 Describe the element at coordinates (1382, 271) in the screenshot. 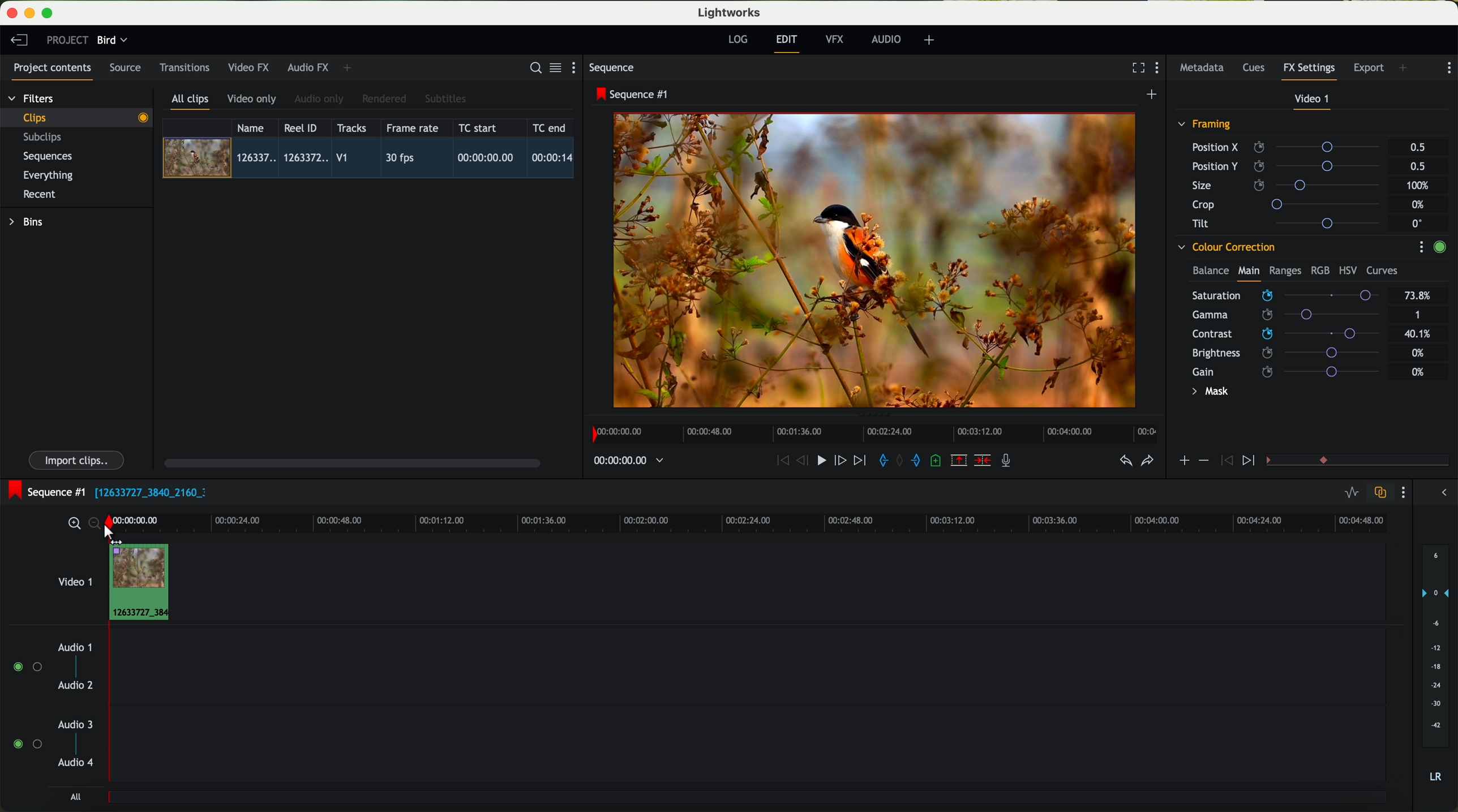

I see `curves` at that location.